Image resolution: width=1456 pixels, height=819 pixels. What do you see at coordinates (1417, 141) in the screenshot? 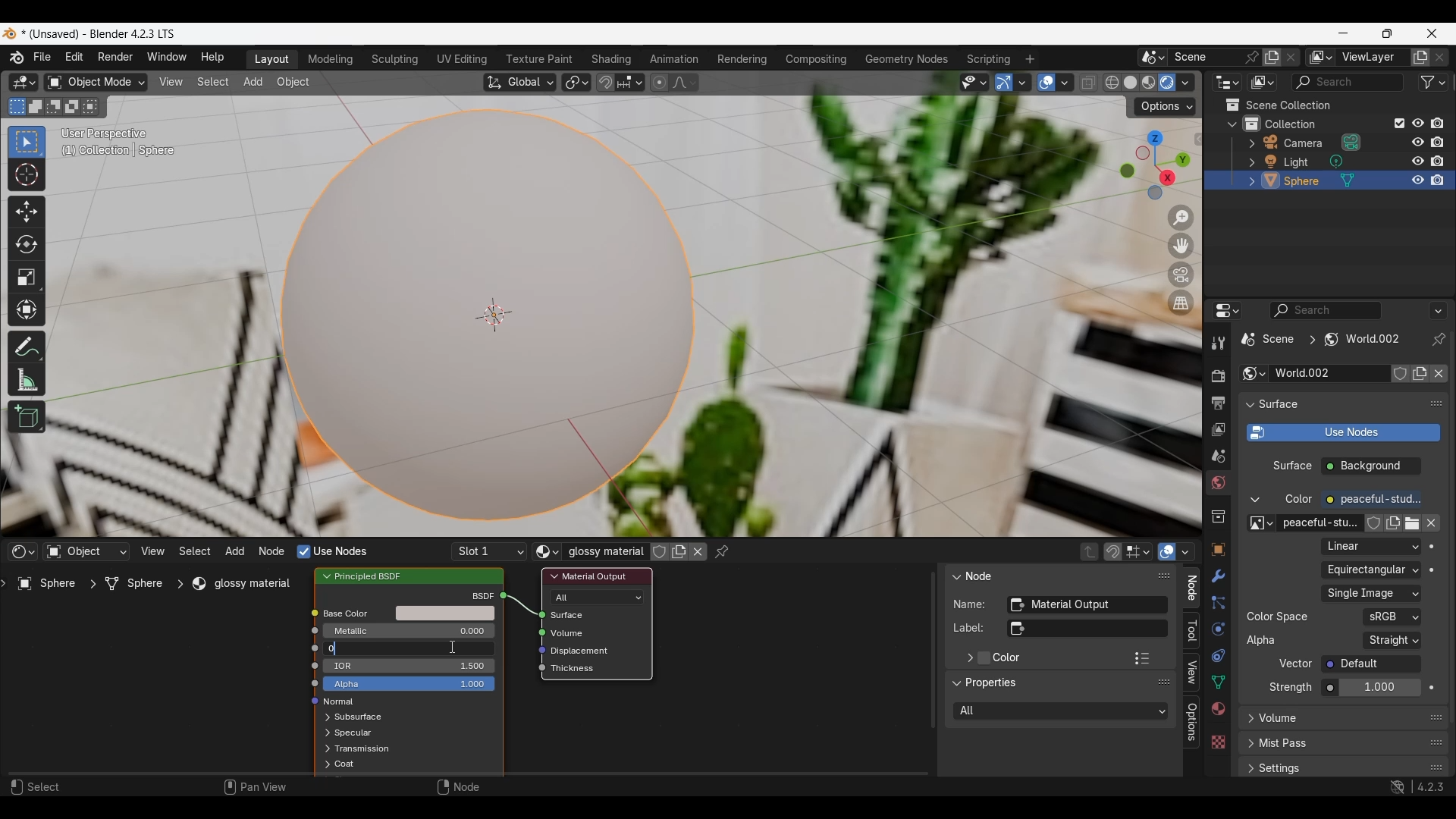
I see `respectively hide in viewport` at bounding box center [1417, 141].